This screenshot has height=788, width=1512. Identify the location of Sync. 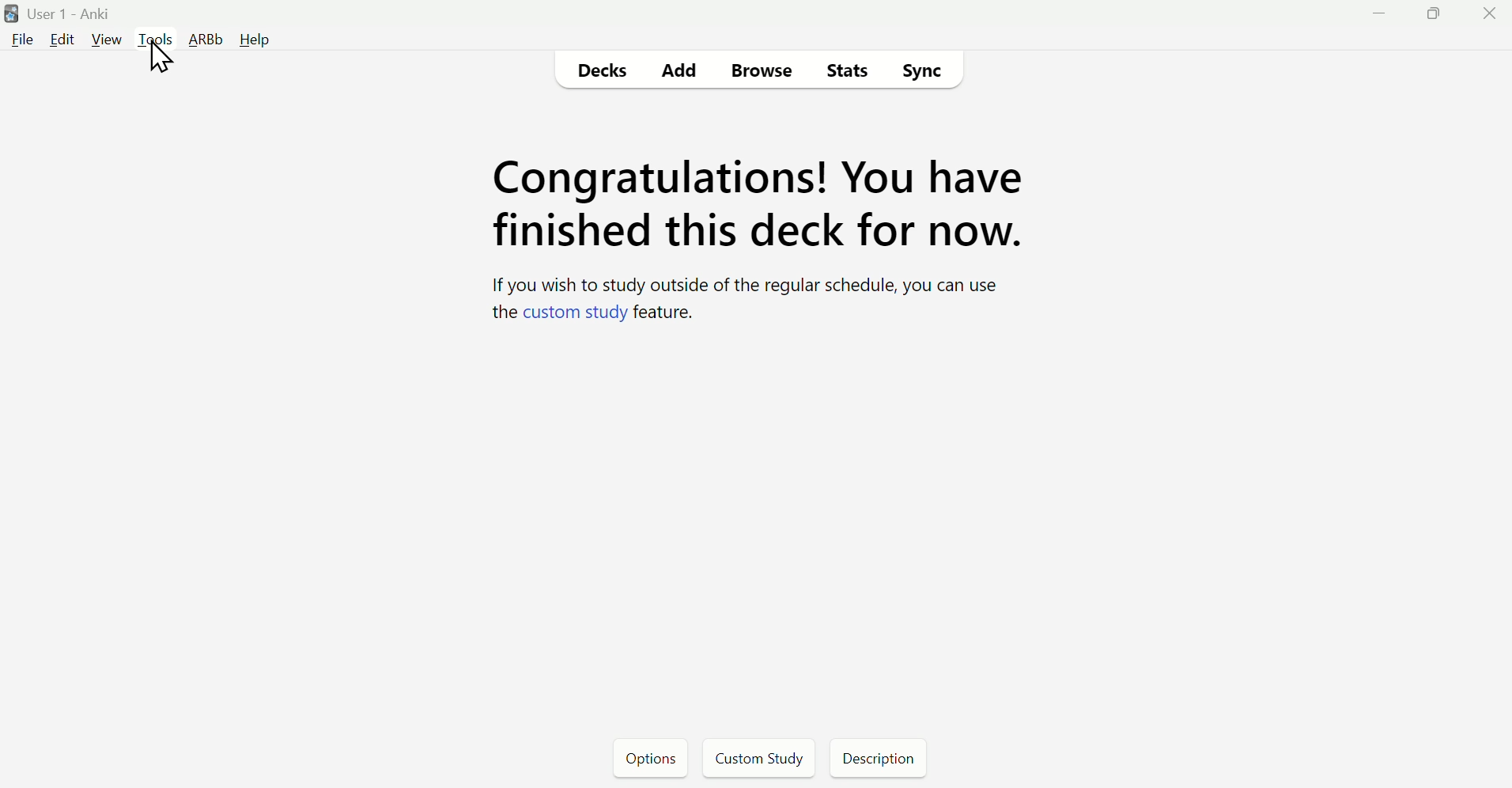
(921, 74).